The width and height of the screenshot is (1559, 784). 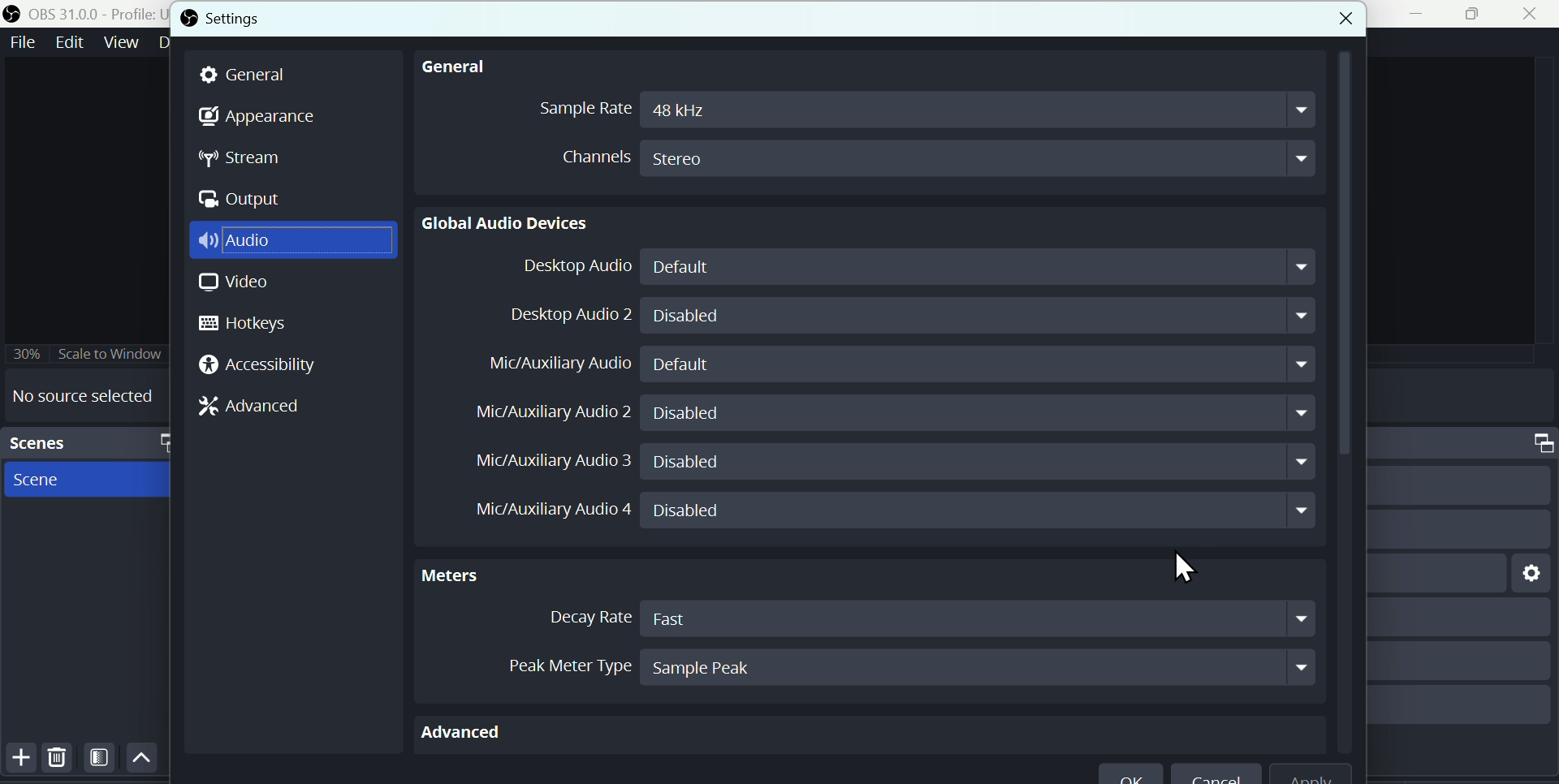 I want to click on channels, so click(x=589, y=160).